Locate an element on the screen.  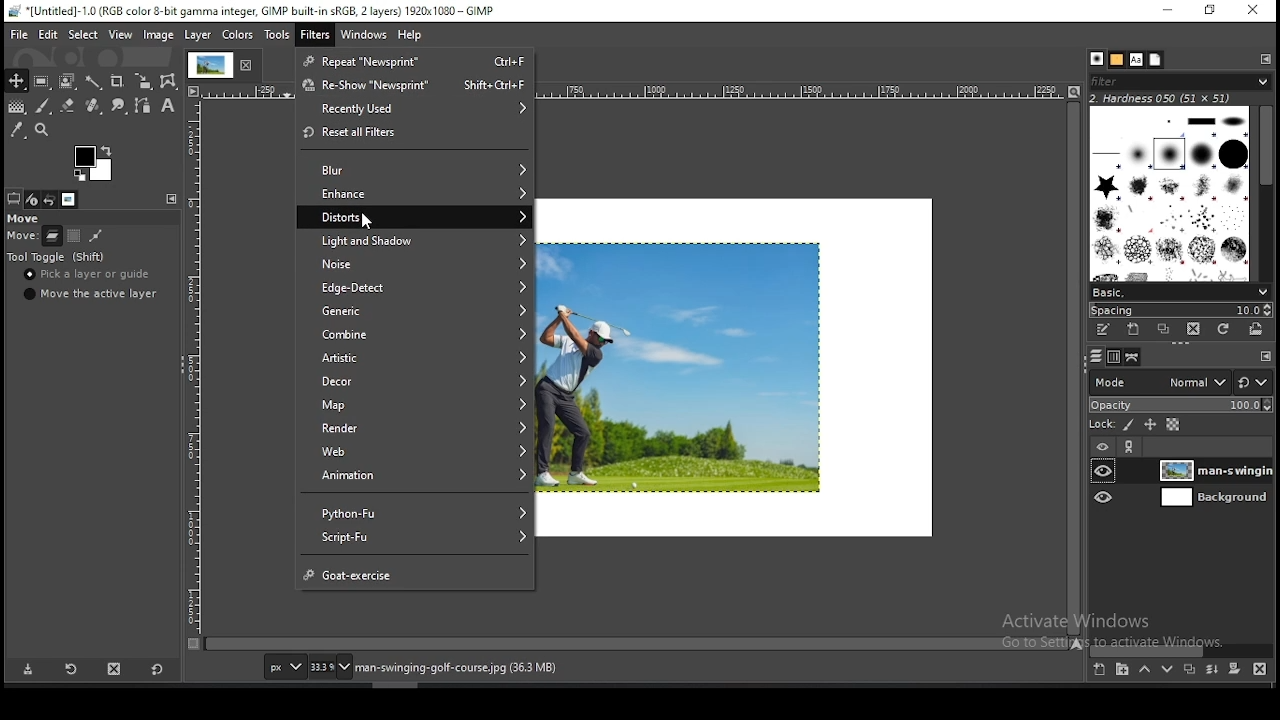
pick a layer or guide is located at coordinates (93, 276).